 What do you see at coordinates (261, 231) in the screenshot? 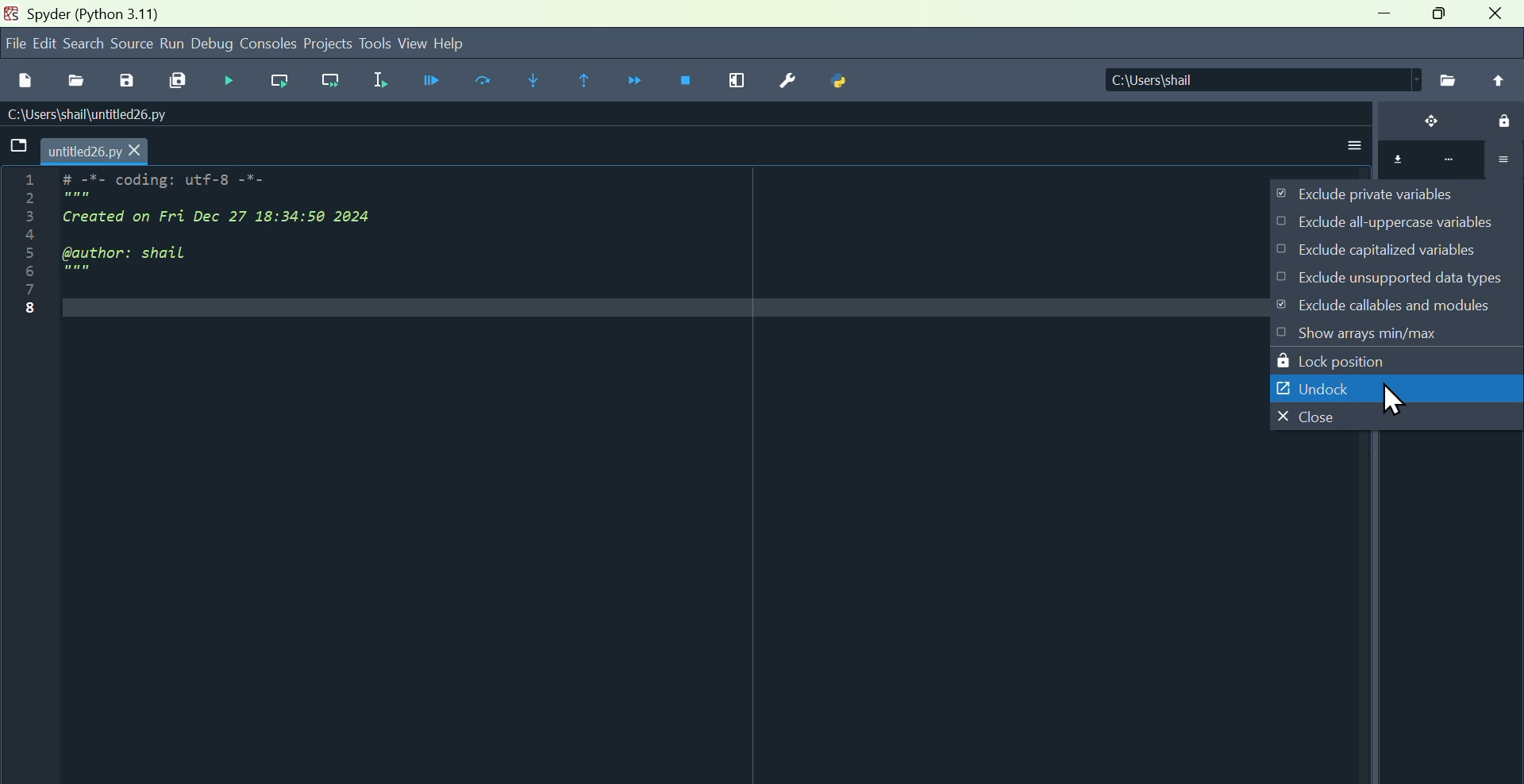
I see `# -*- coding: utf-8 -*-
Created on Fri Dec 27 18:34:50 2024
@author: shail` at bounding box center [261, 231].